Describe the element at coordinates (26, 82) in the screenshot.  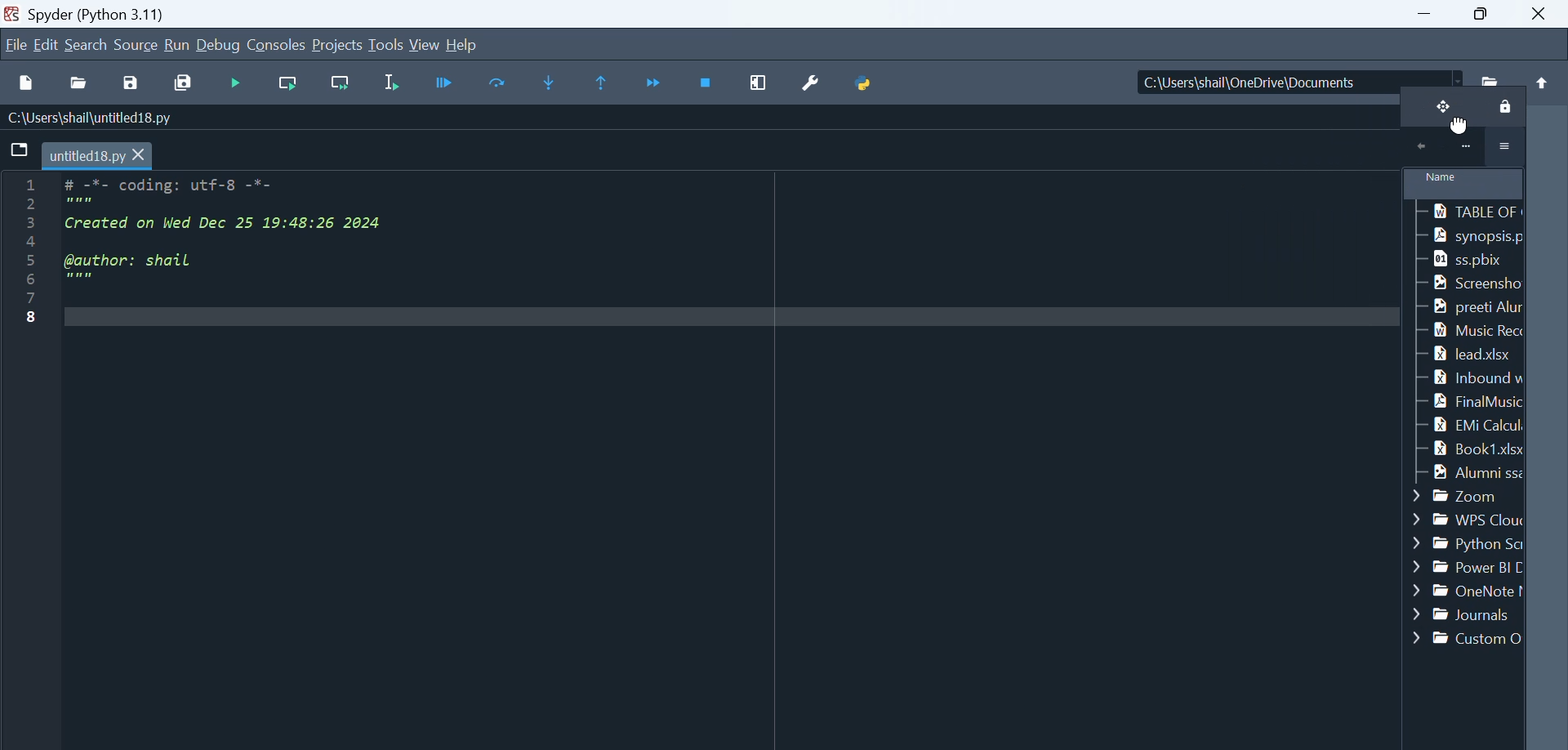
I see `New` at that location.